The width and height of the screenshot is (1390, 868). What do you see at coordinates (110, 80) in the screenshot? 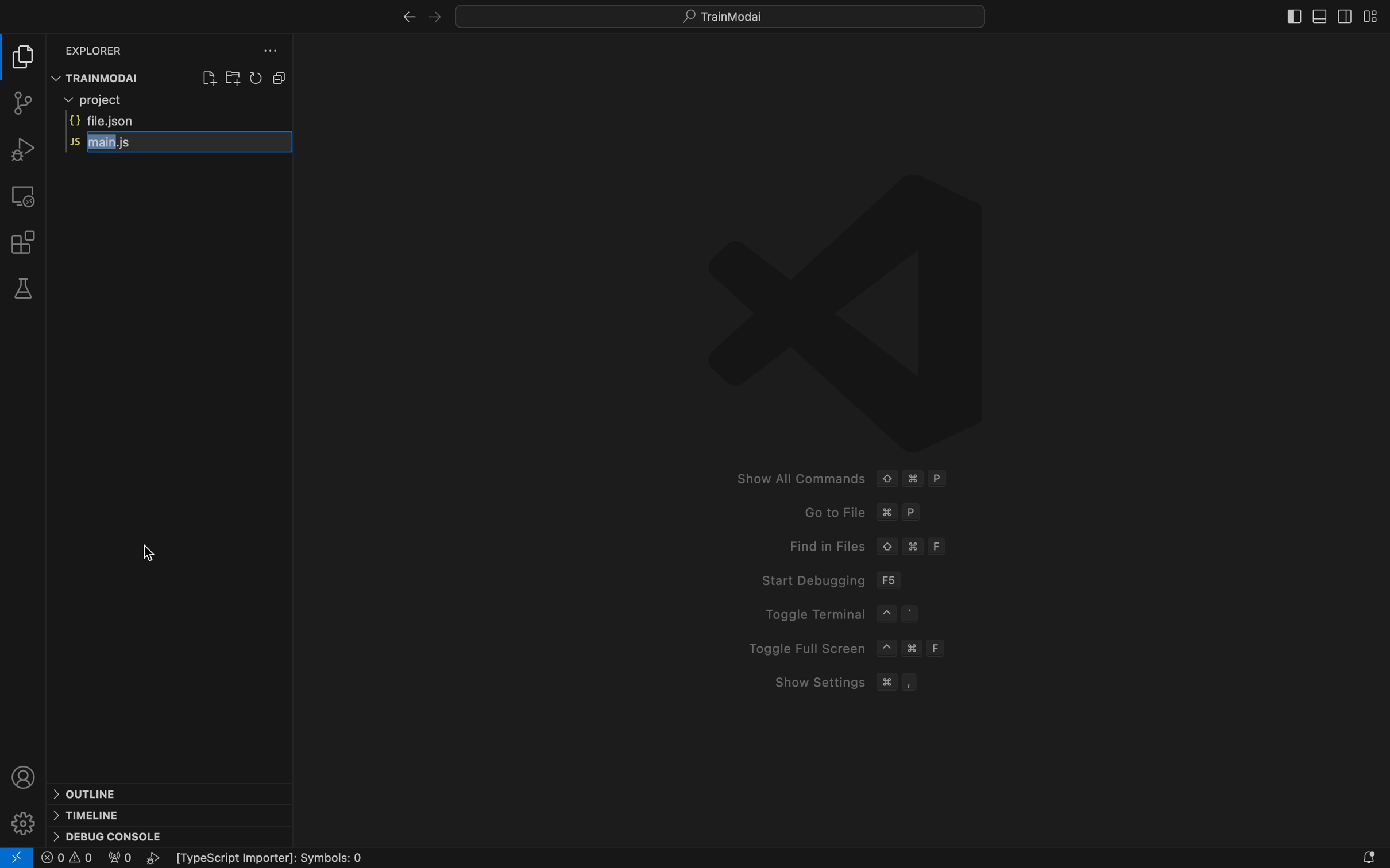
I see `TRAINMODAI` at bounding box center [110, 80].